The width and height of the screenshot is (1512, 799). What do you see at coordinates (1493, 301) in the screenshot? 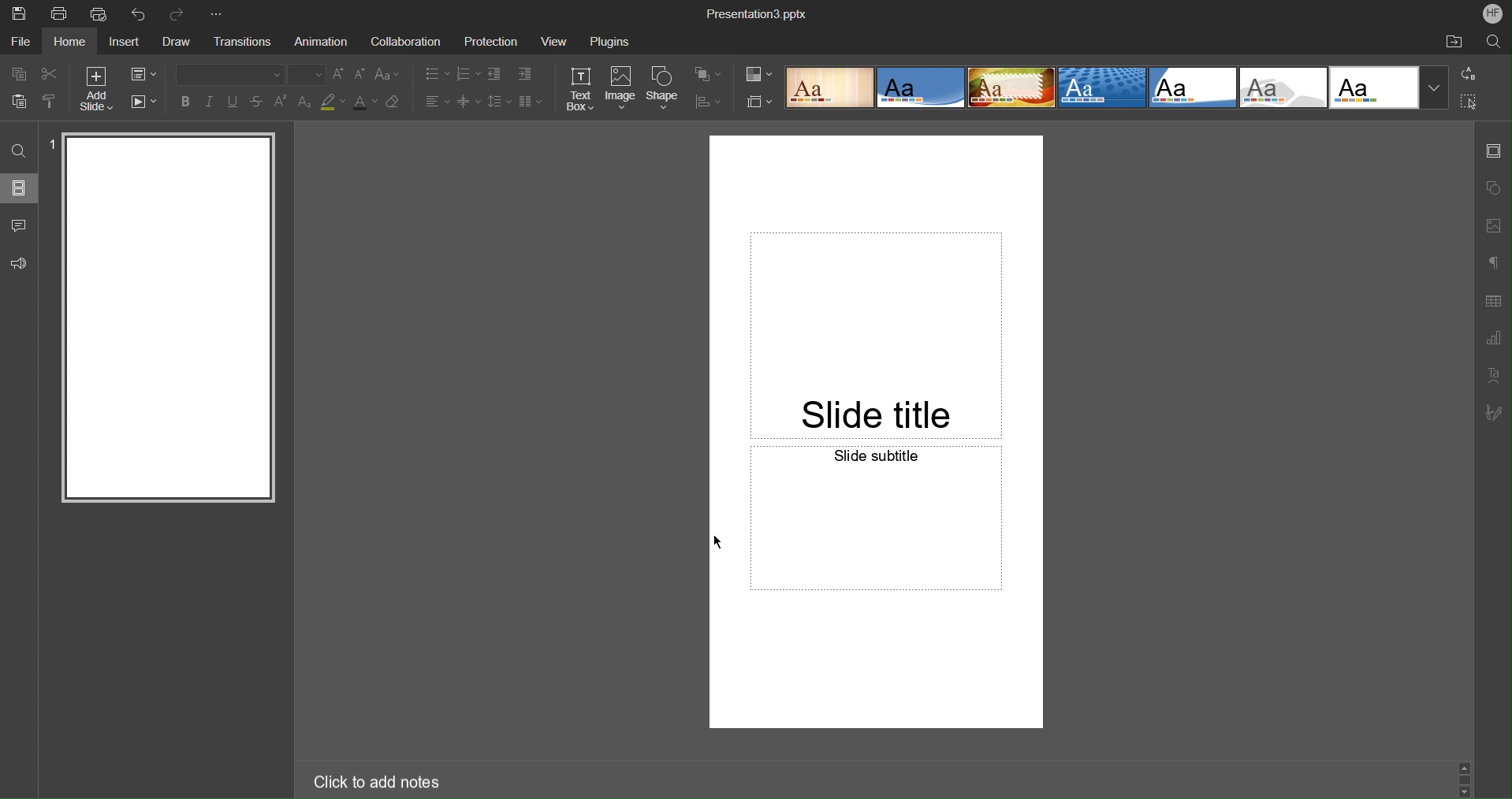
I see `Table` at bounding box center [1493, 301].